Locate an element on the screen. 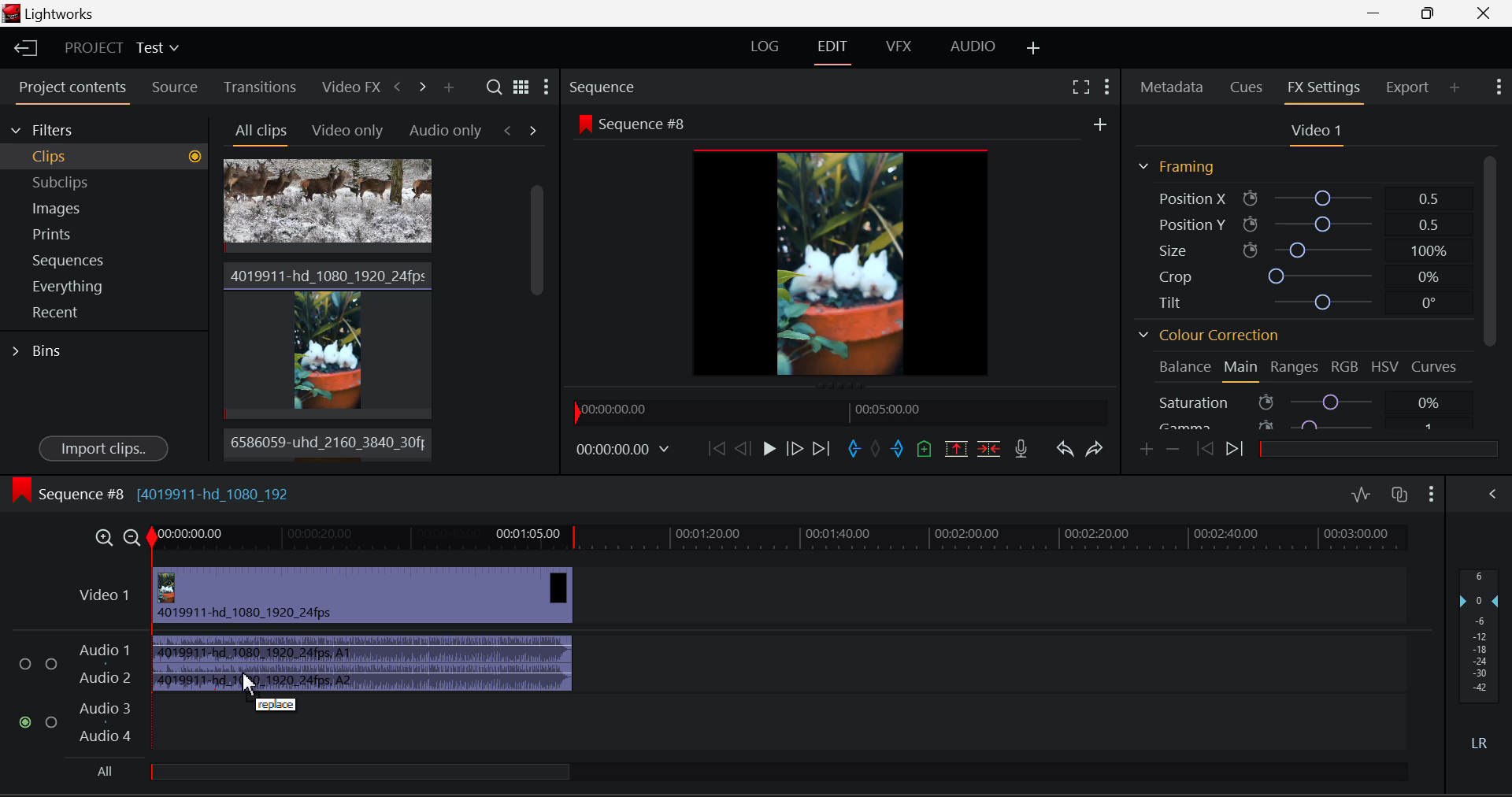 The image size is (1512, 797). Undo is located at coordinates (1065, 449).